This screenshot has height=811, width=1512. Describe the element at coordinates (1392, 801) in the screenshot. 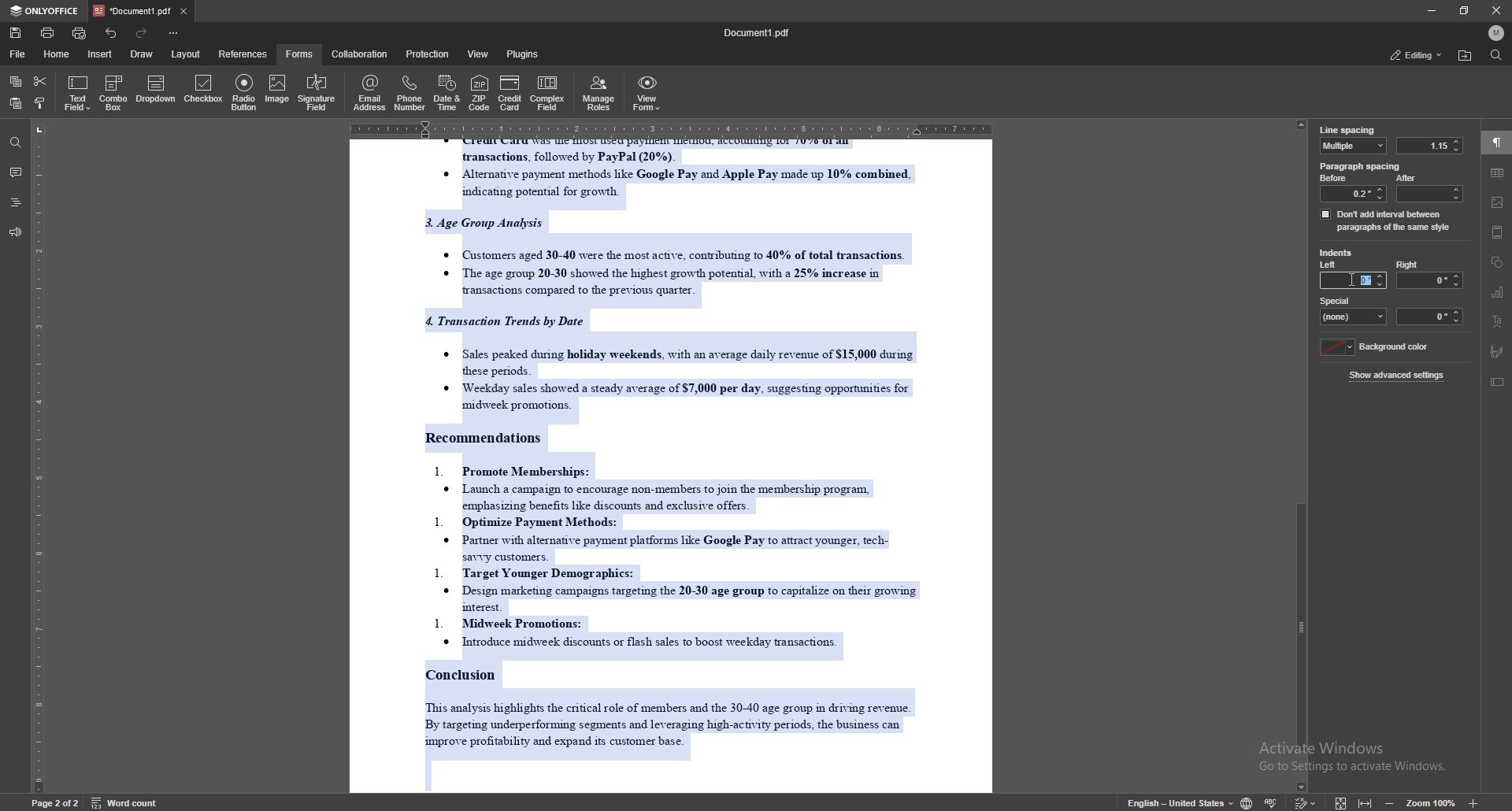

I see `zoom out` at that location.